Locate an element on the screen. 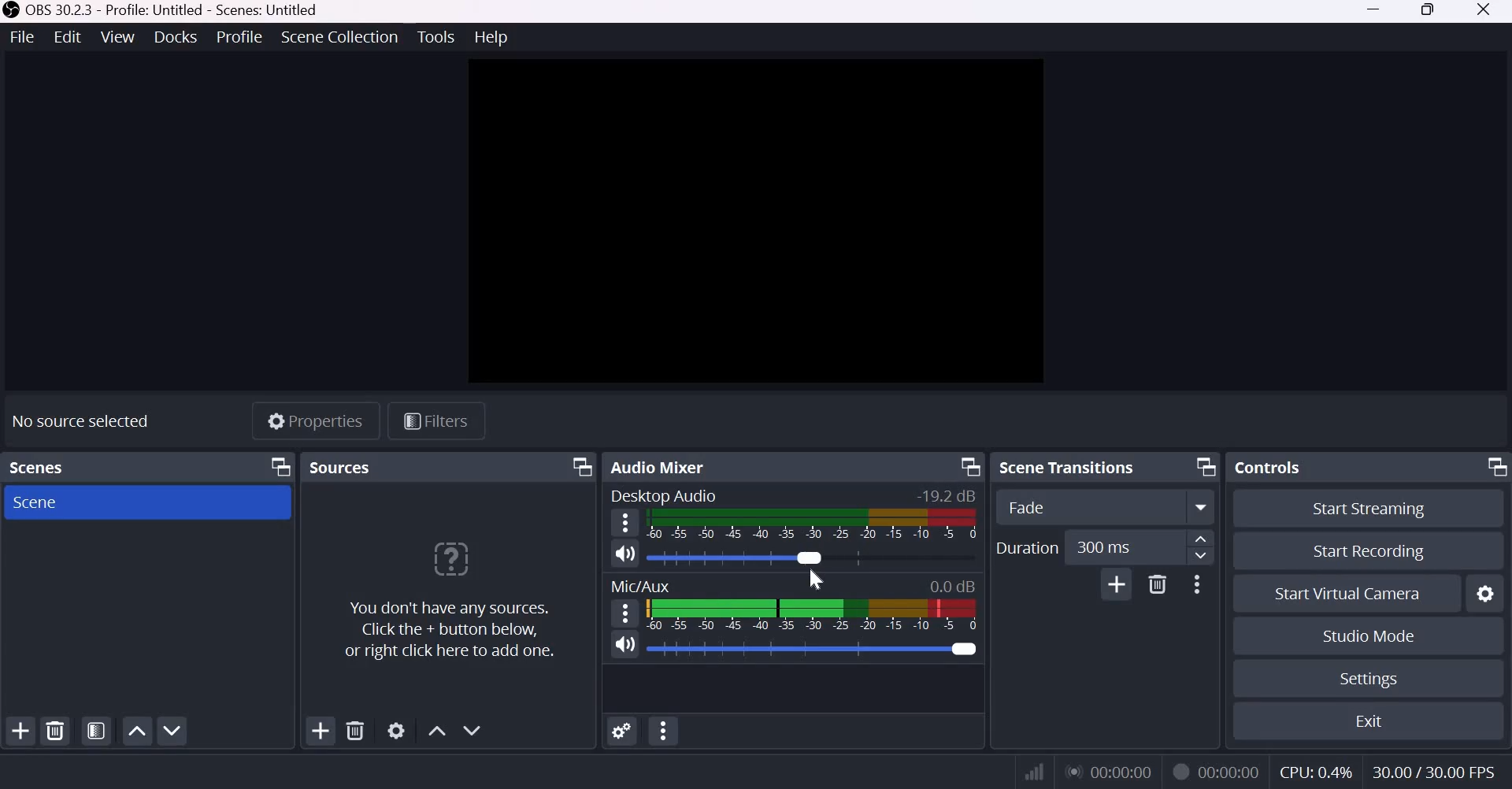 Image resolution: width=1512 pixels, height=789 pixels. Close is located at coordinates (1488, 12).